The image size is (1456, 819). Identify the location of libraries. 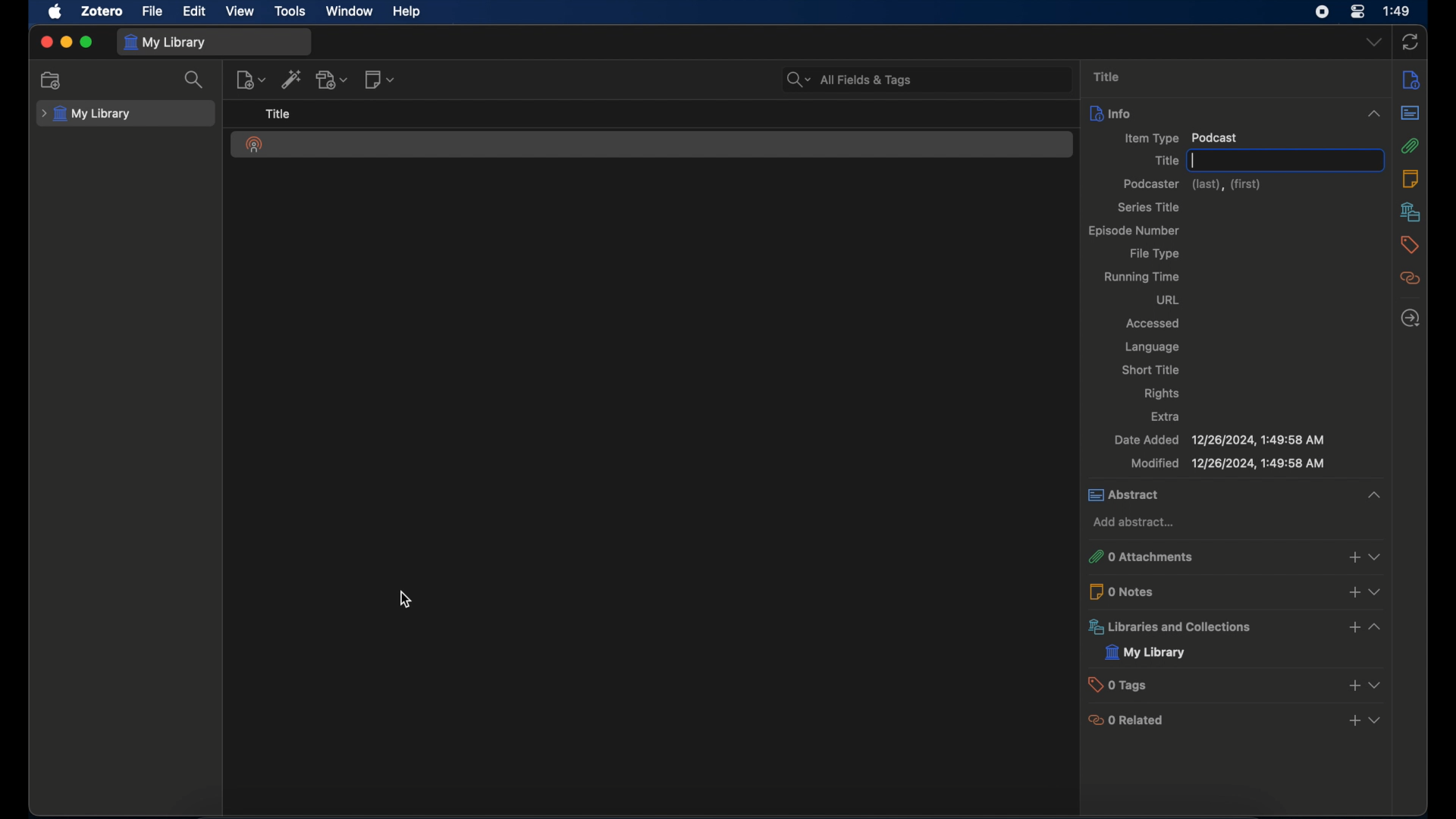
(1234, 626).